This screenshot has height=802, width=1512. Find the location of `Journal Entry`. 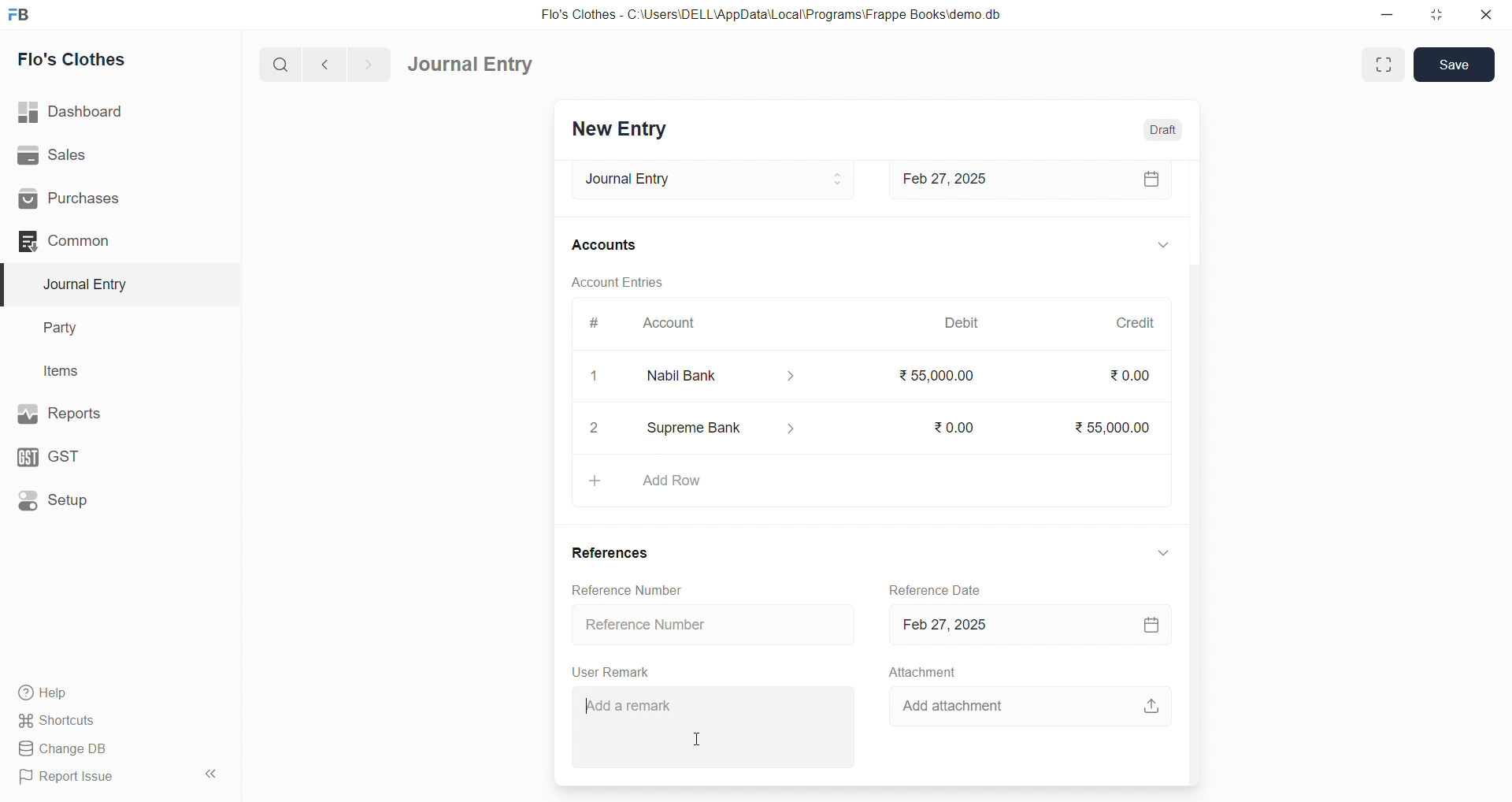

Journal Entry is located at coordinates (471, 64).